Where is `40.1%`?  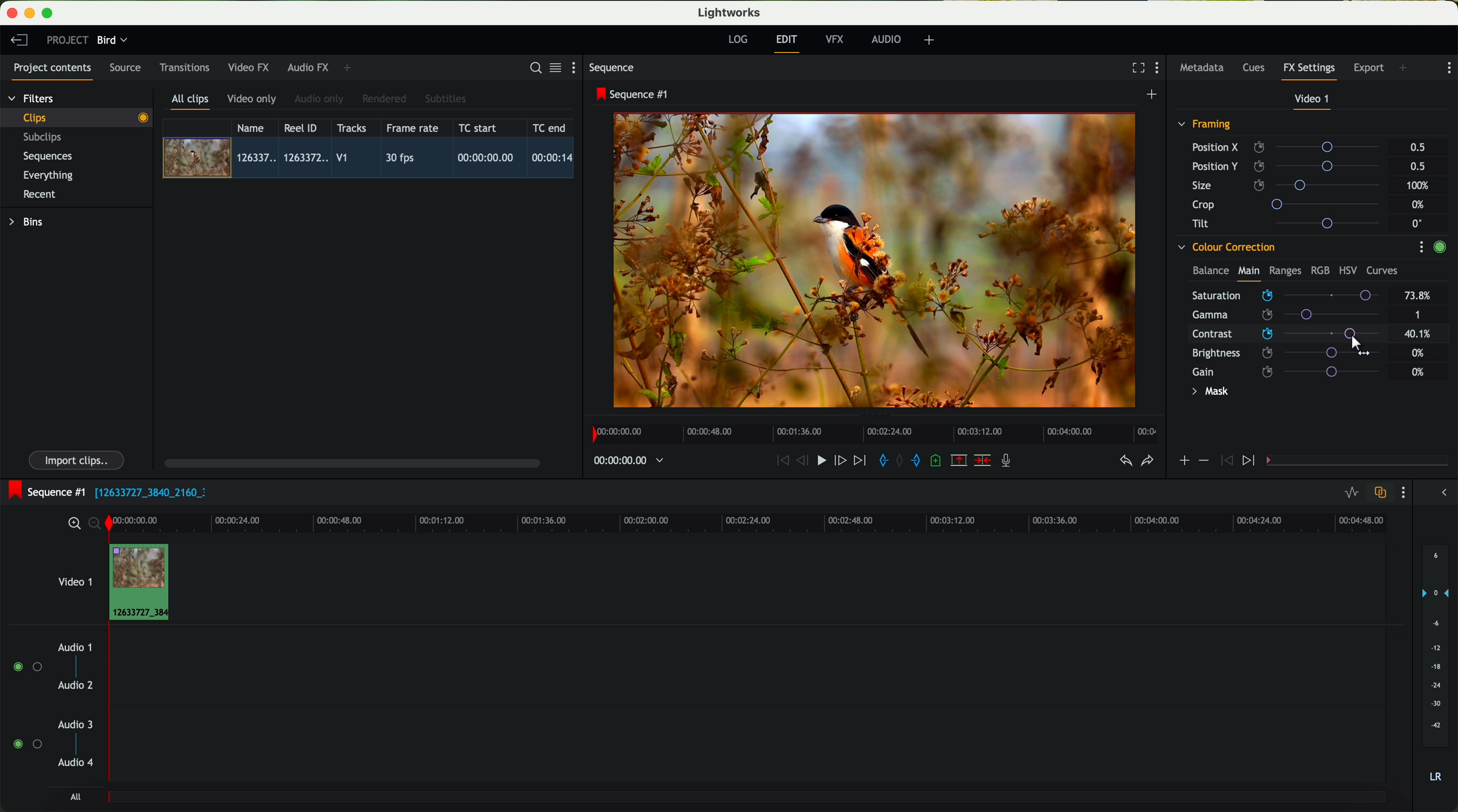
40.1% is located at coordinates (1421, 334).